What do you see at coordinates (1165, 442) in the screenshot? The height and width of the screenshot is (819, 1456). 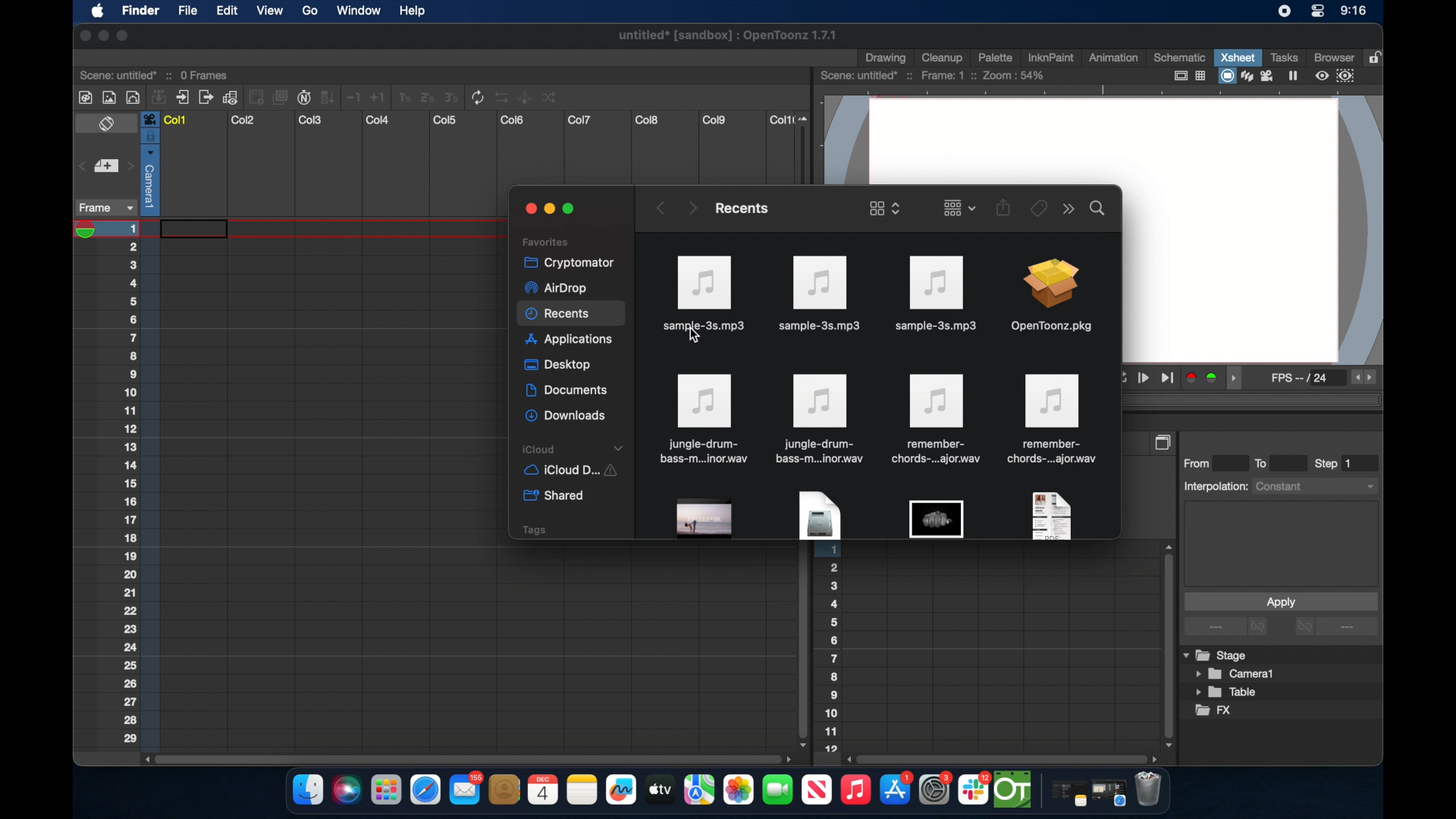 I see `copy` at bounding box center [1165, 442].